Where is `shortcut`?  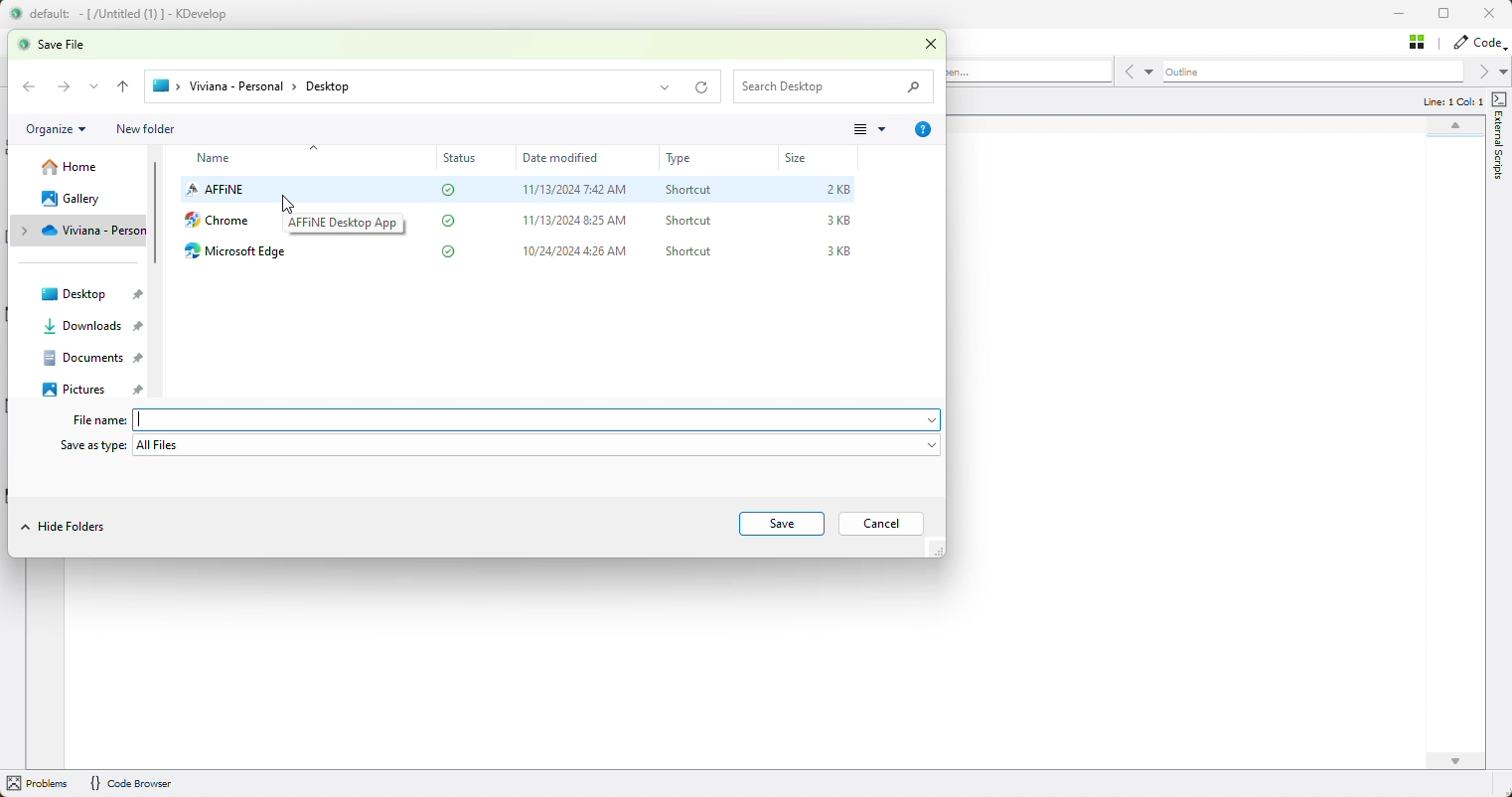 shortcut is located at coordinates (688, 251).